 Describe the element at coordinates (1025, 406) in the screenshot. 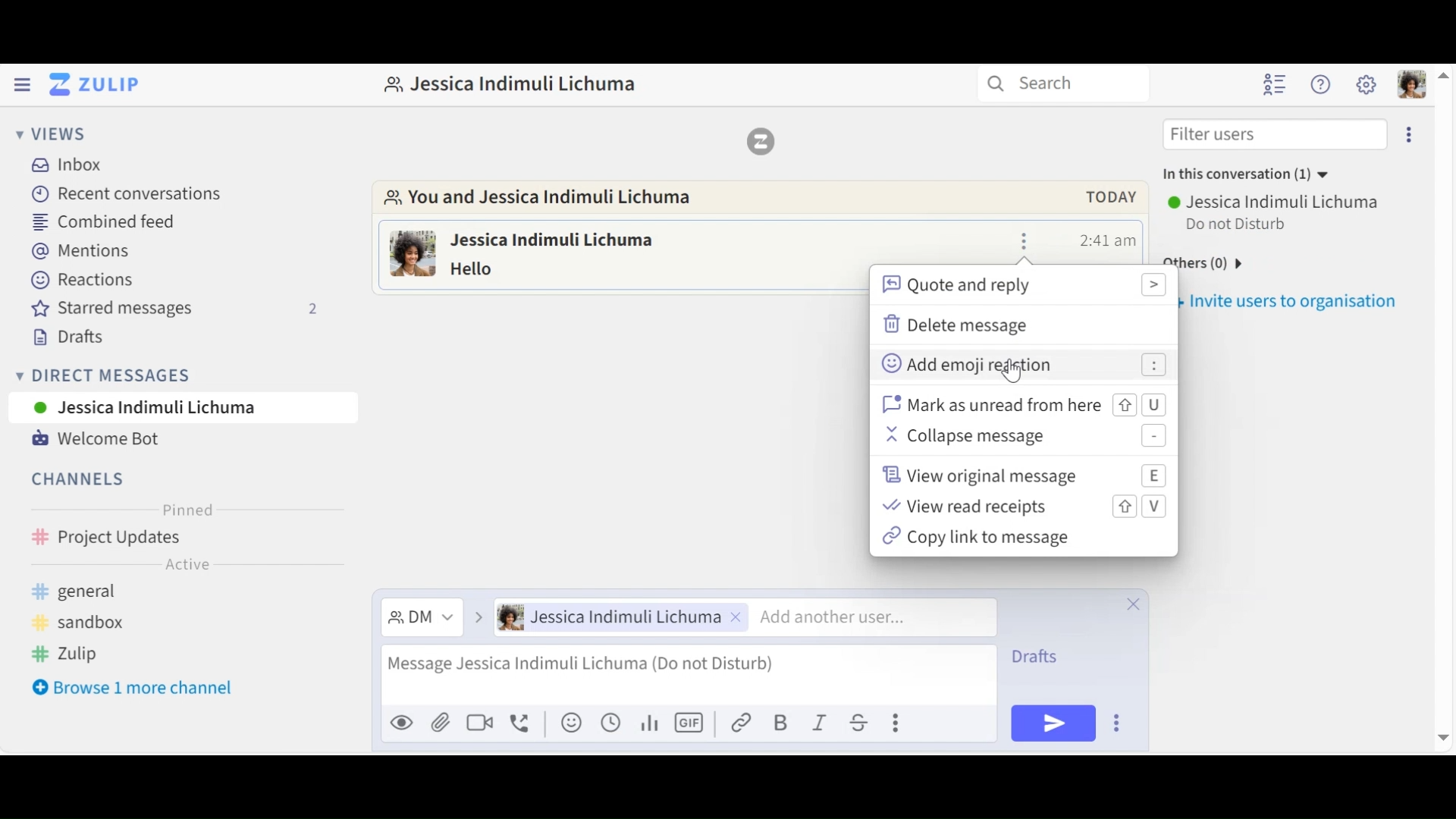

I see `Mark as unread from here` at that location.